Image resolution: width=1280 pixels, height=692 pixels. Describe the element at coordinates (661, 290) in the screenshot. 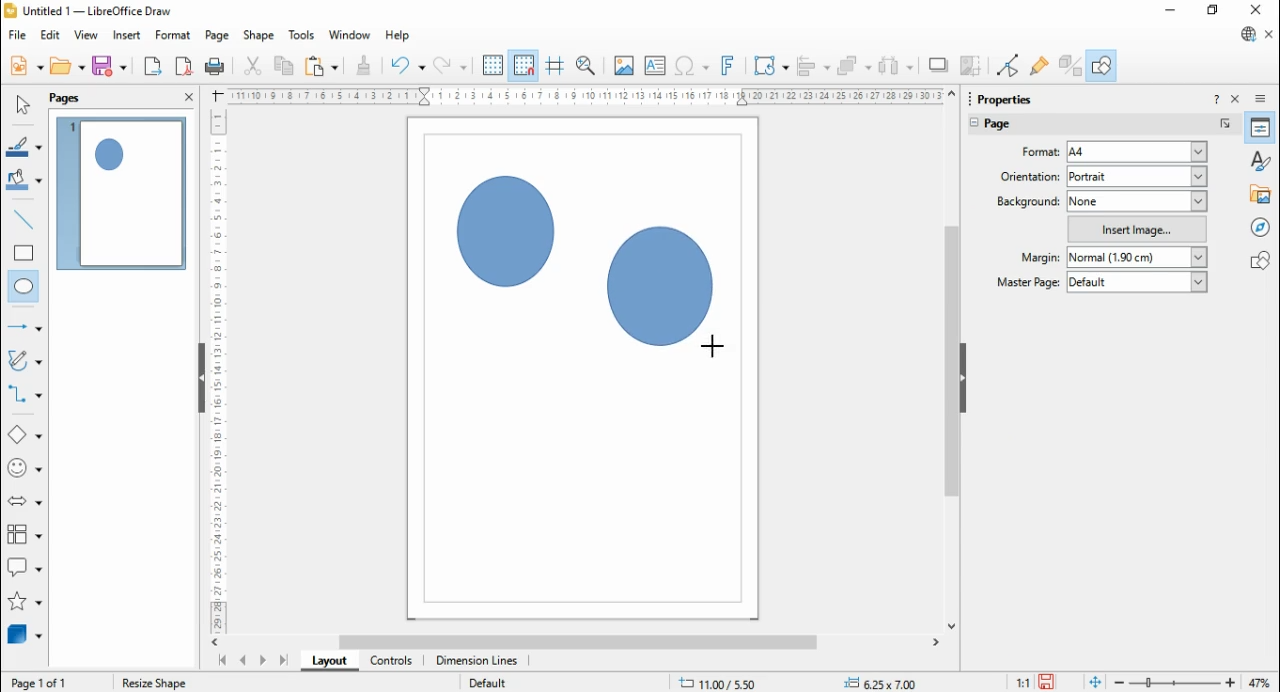

I see `Circle shape` at that location.